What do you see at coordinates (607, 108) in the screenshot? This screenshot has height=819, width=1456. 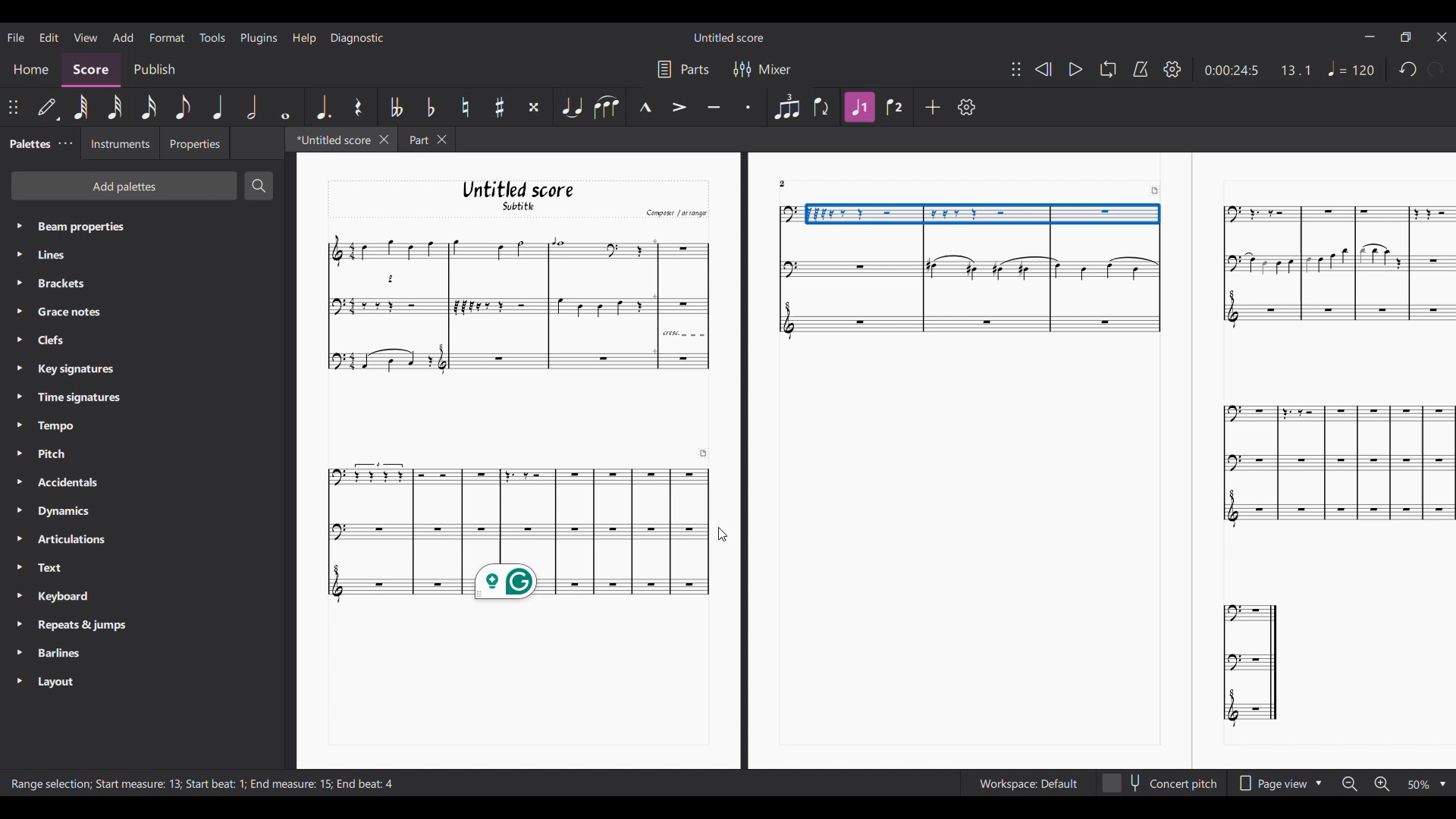 I see `Slur` at bounding box center [607, 108].